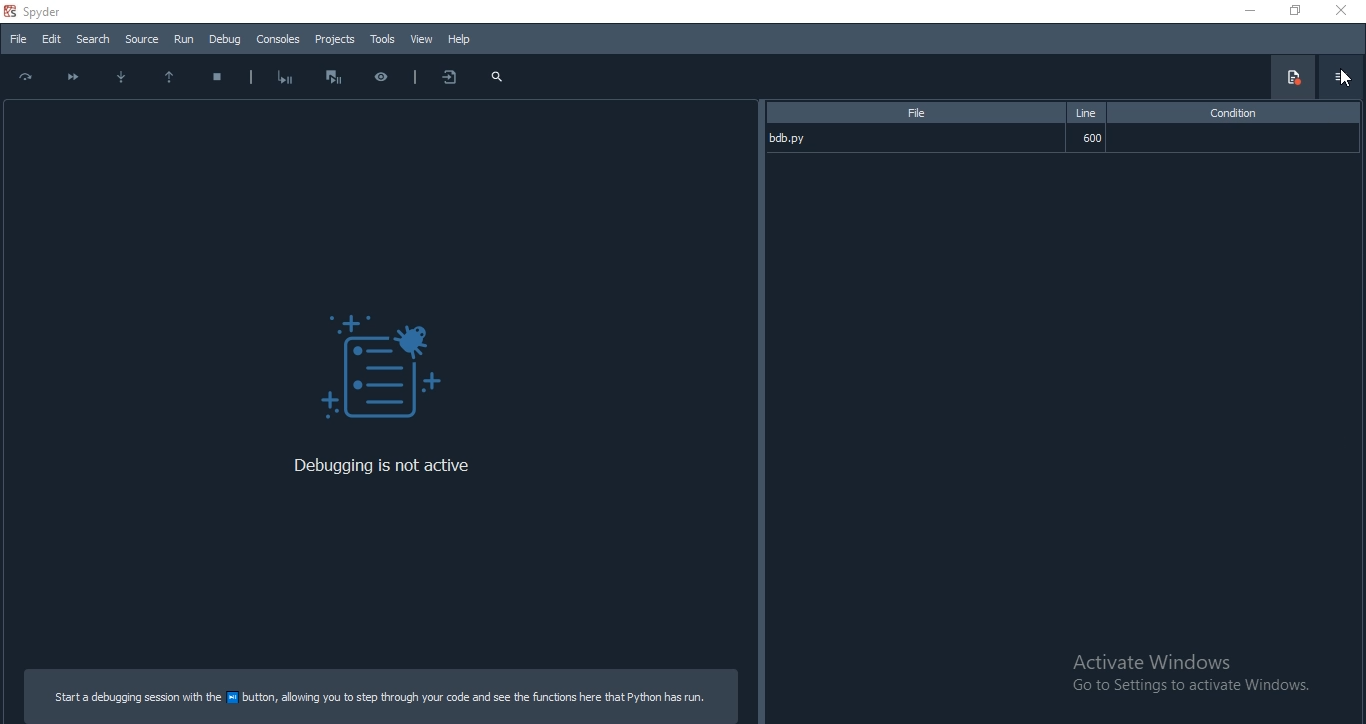 The image size is (1366, 724). What do you see at coordinates (141, 38) in the screenshot?
I see `Source` at bounding box center [141, 38].